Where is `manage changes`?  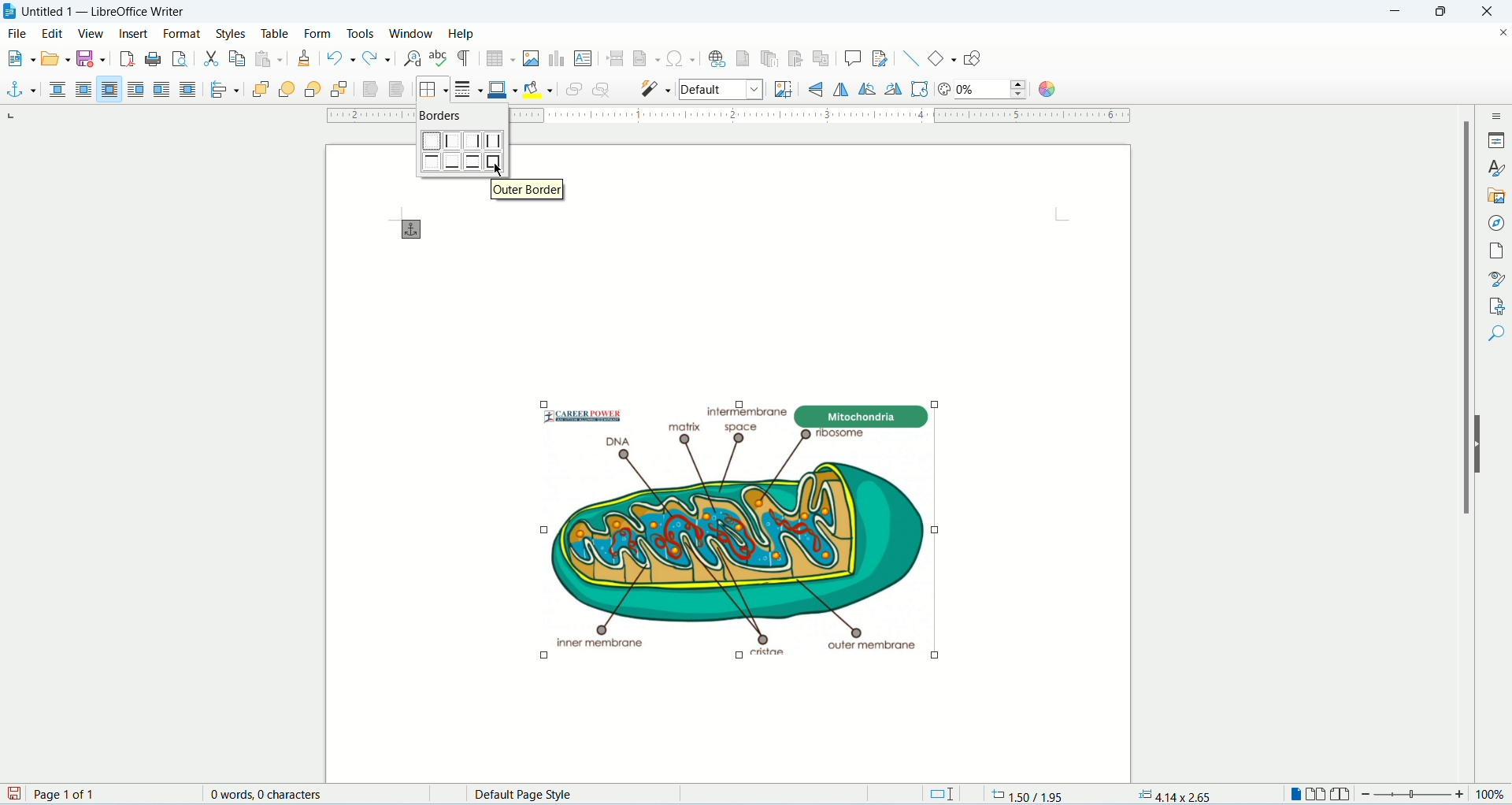 manage changes is located at coordinates (1497, 305).